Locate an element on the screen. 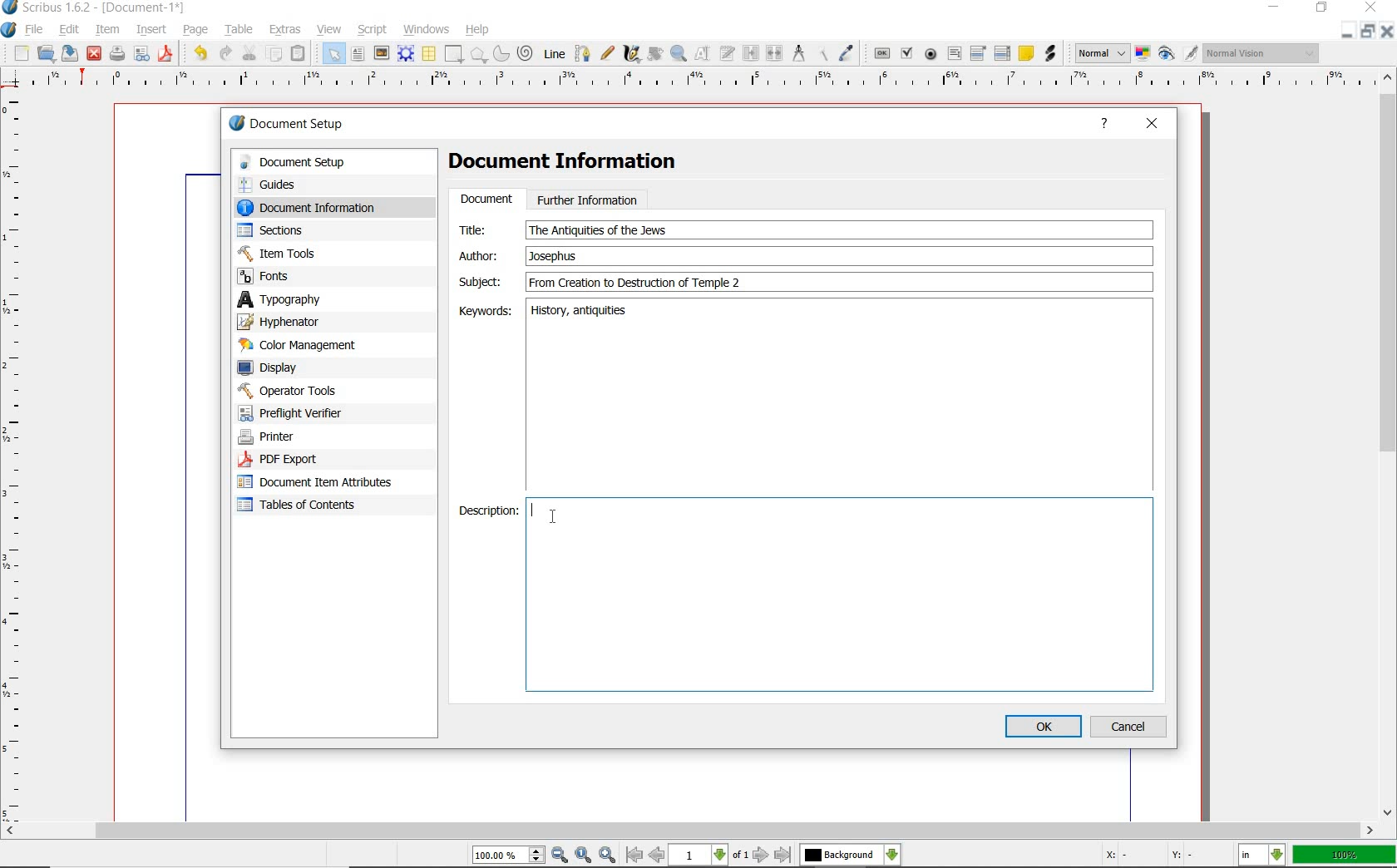 The image size is (1397, 868). ok is located at coordinates (1043, 726).